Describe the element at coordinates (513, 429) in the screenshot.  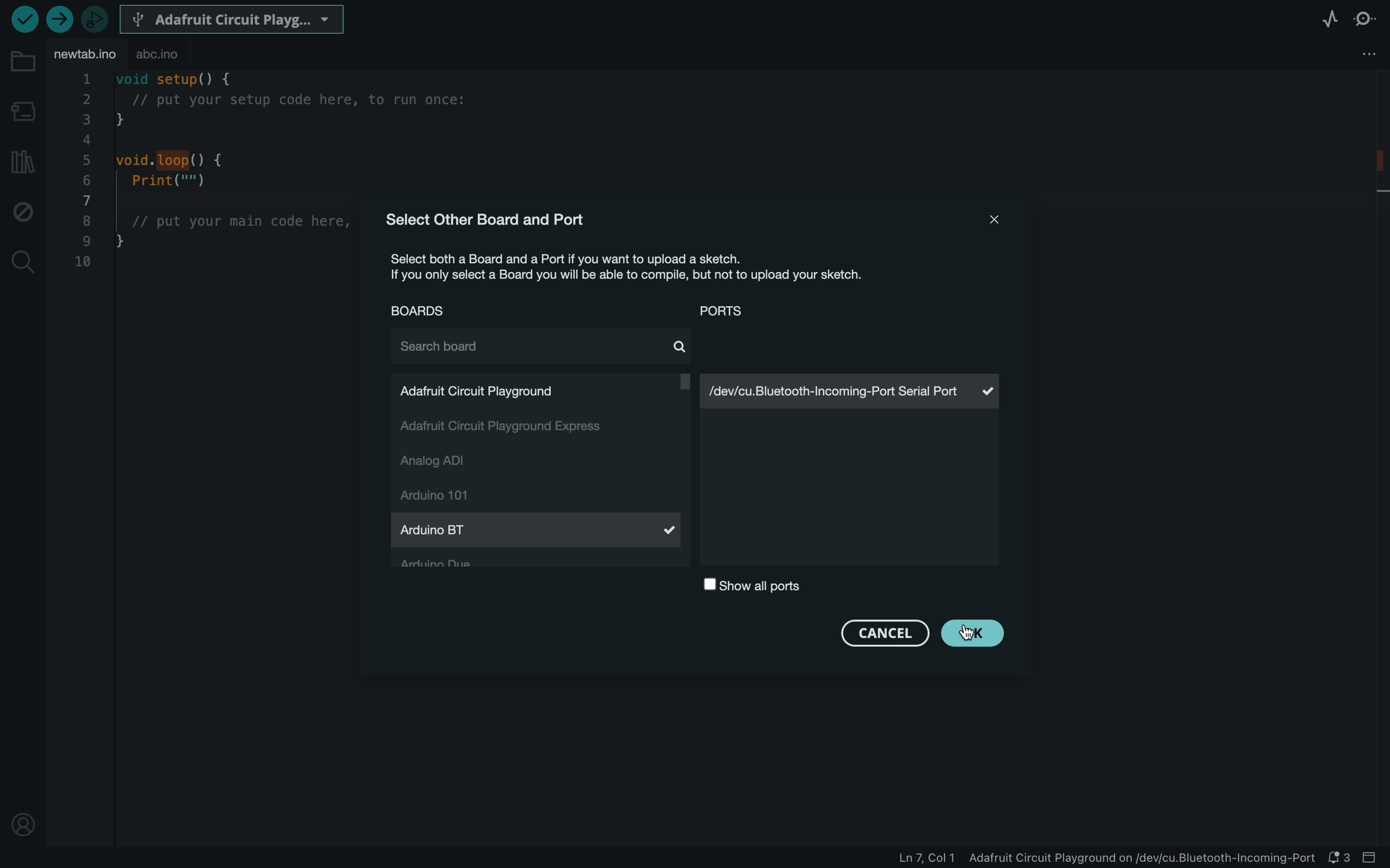
I see `adafruit circut express` at that location.